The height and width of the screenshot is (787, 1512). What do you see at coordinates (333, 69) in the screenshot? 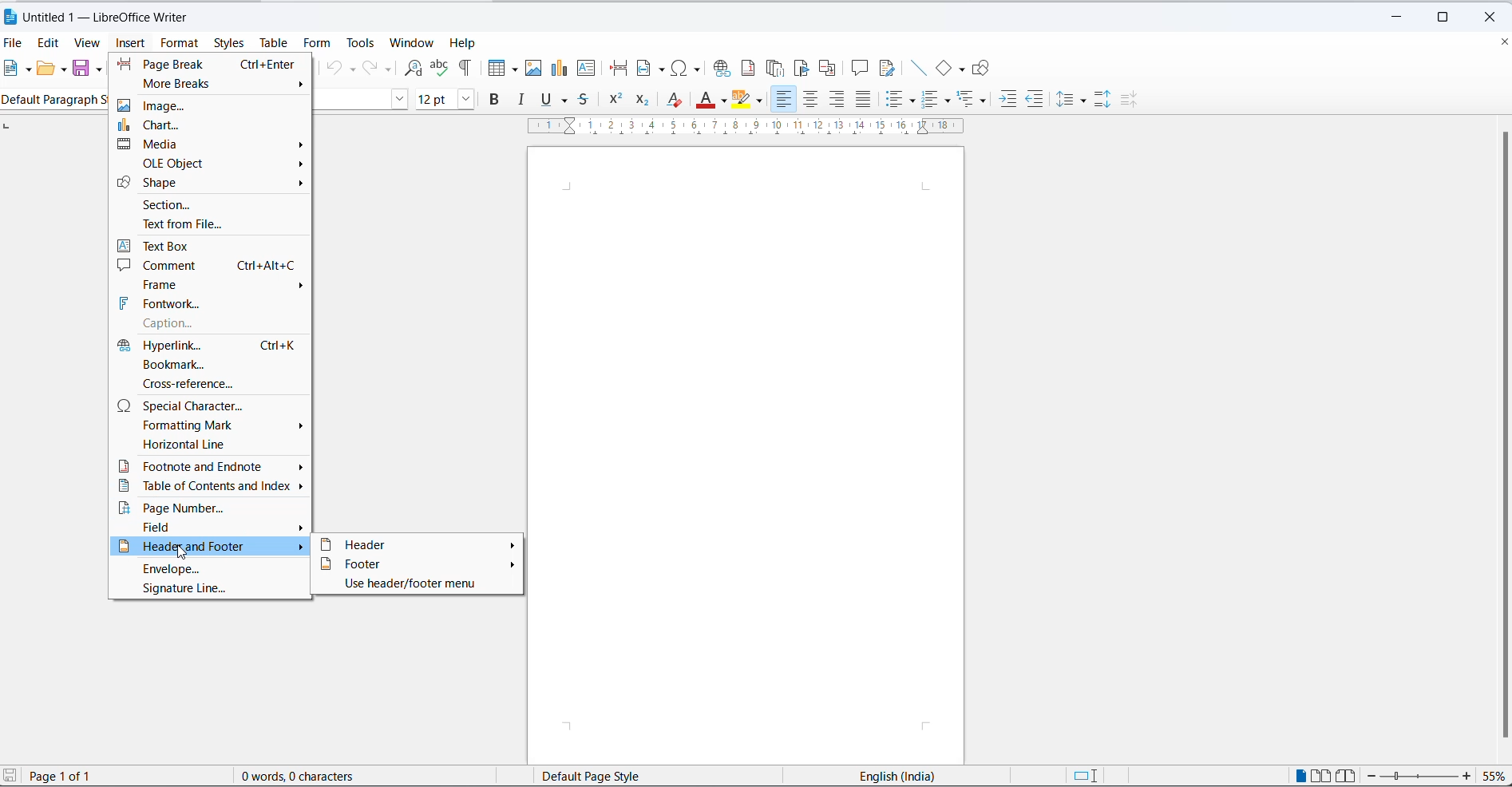
I see `undo` at bounding box center [333, 69].